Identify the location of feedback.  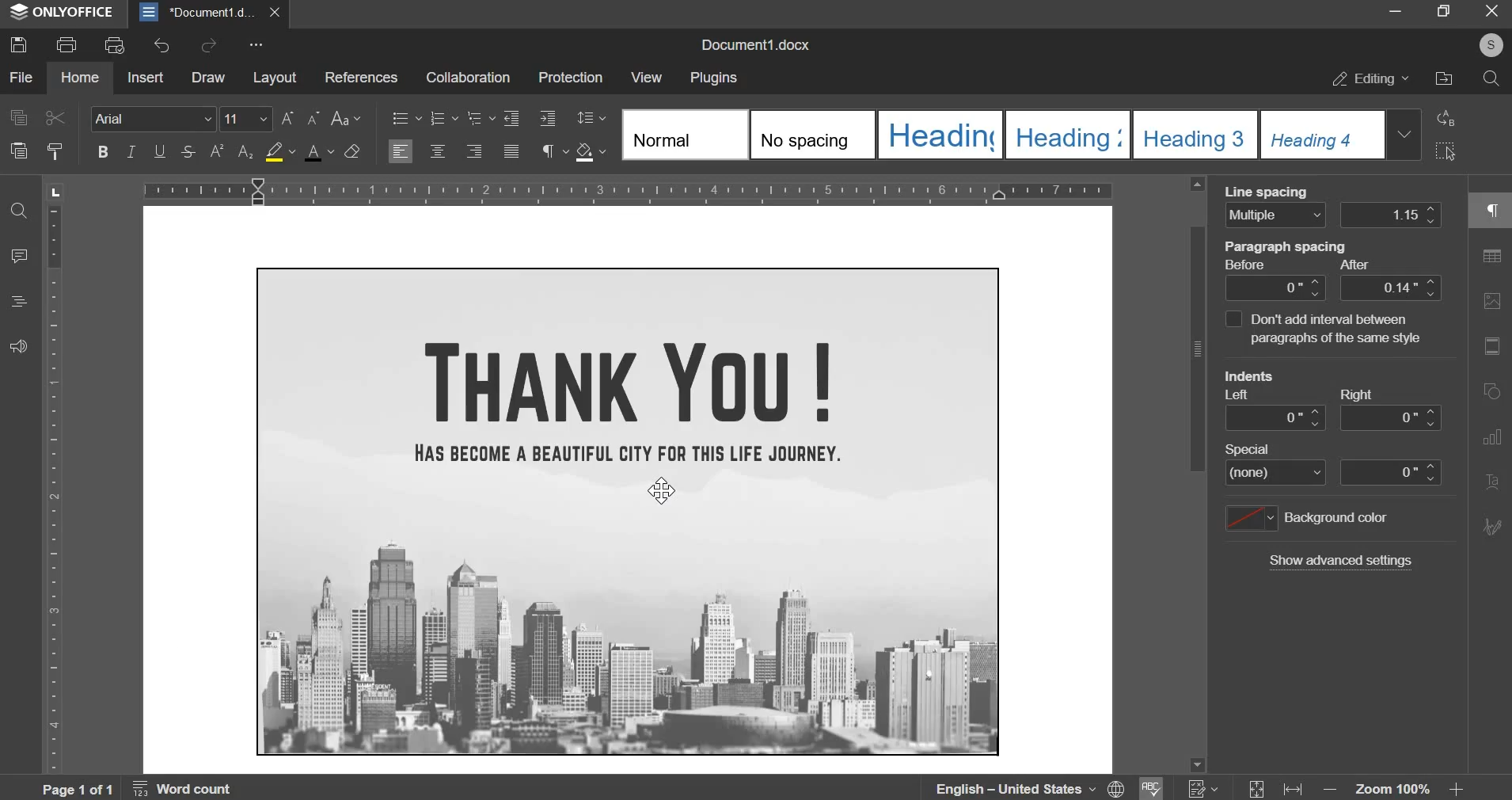
(17, 345).